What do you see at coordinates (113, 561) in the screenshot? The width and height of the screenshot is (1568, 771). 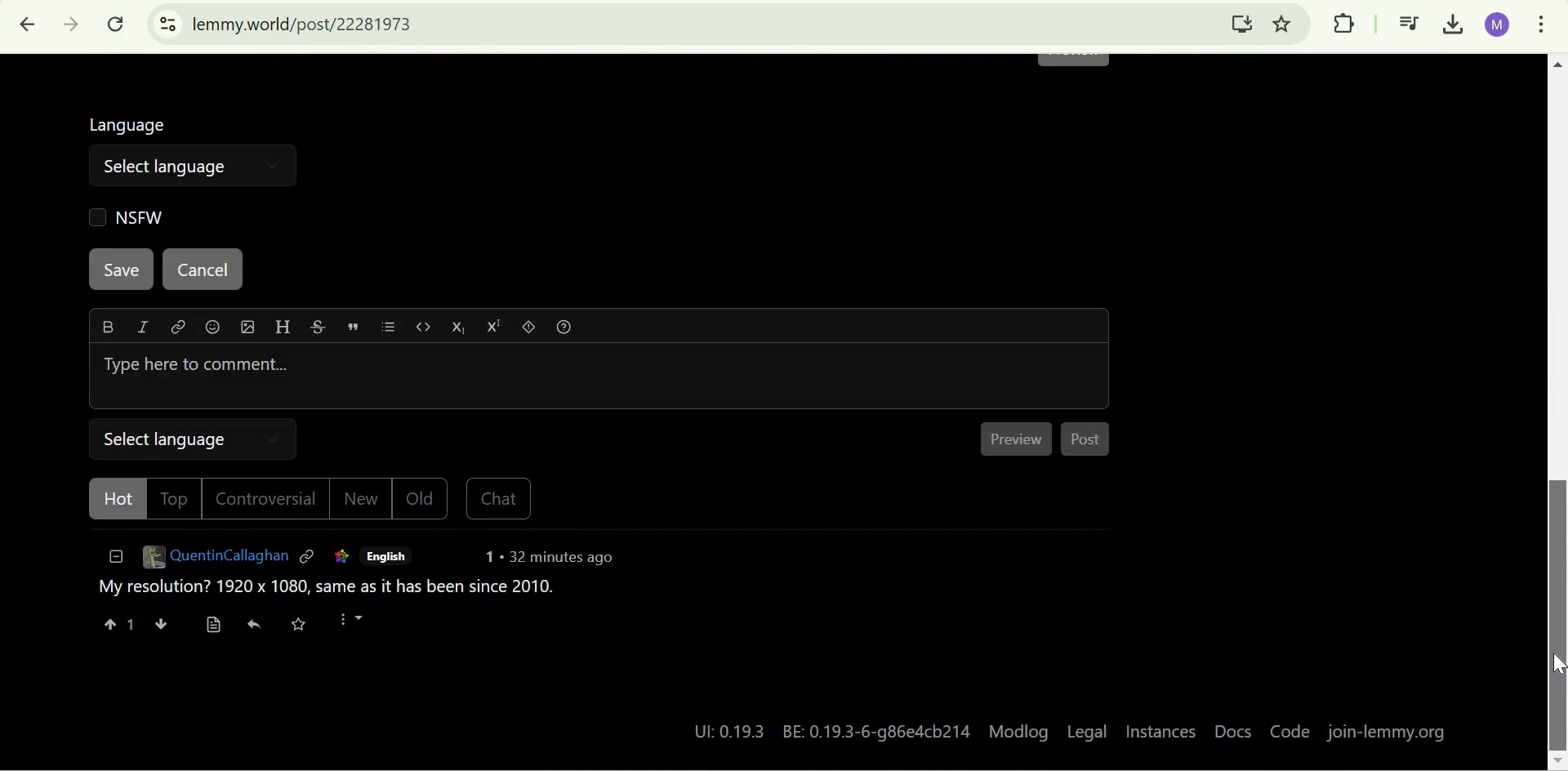 I see `collapse` at bounding box center [113, 561].